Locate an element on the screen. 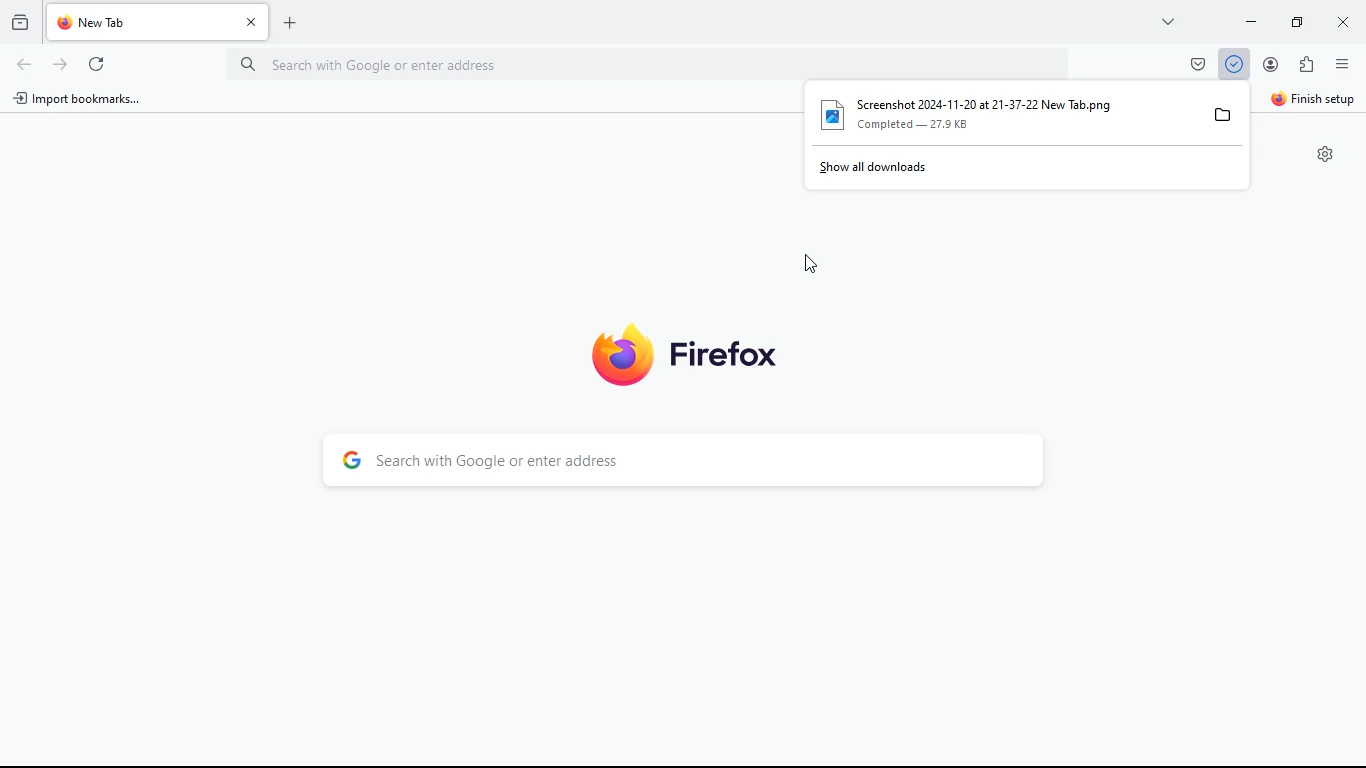 This screenshot has width=1366, height=768. pocket is located at coordinates (1197, 64).